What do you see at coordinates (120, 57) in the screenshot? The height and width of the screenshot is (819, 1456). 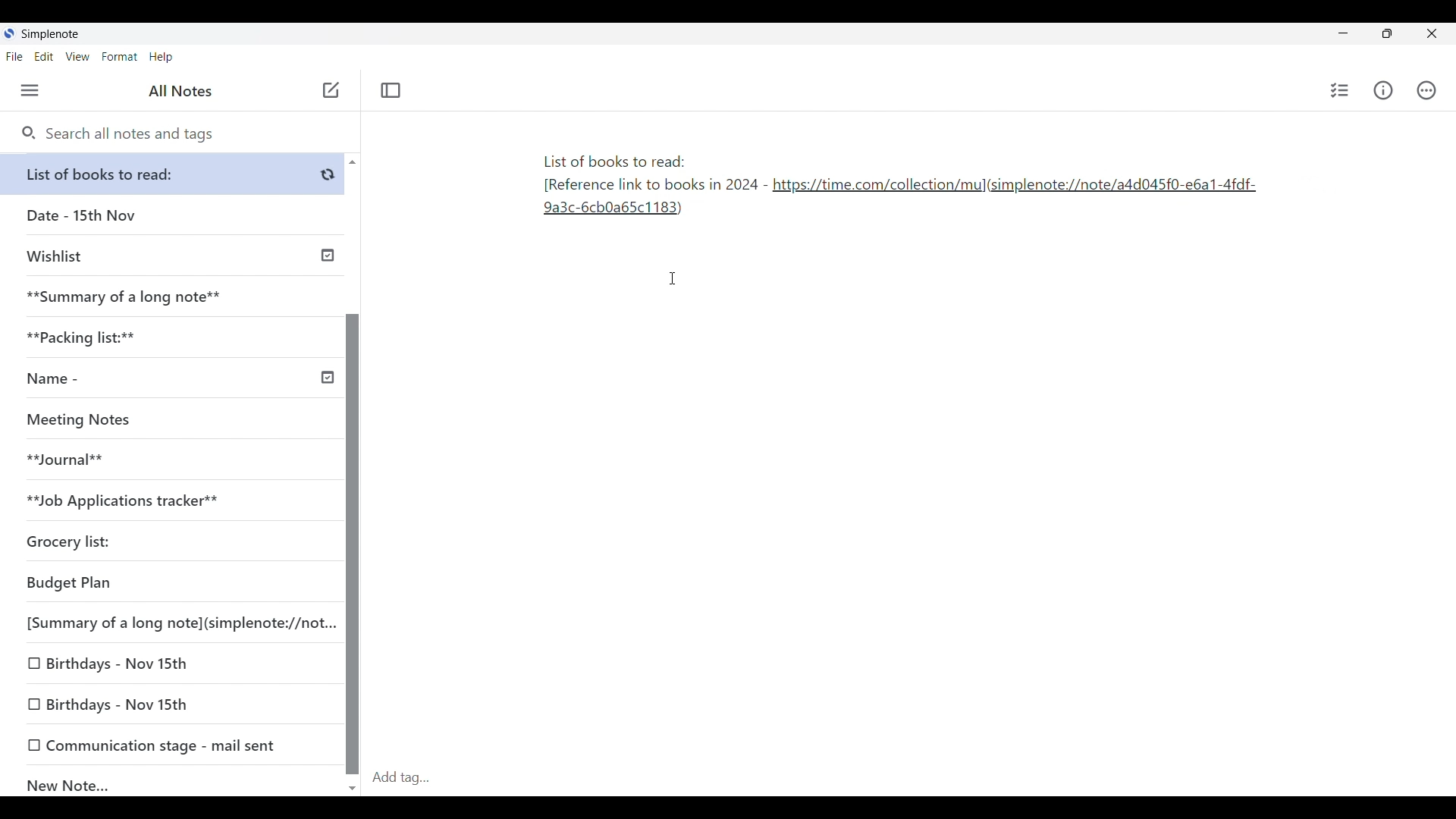 I see `Format` at bounding box center [120, 57].